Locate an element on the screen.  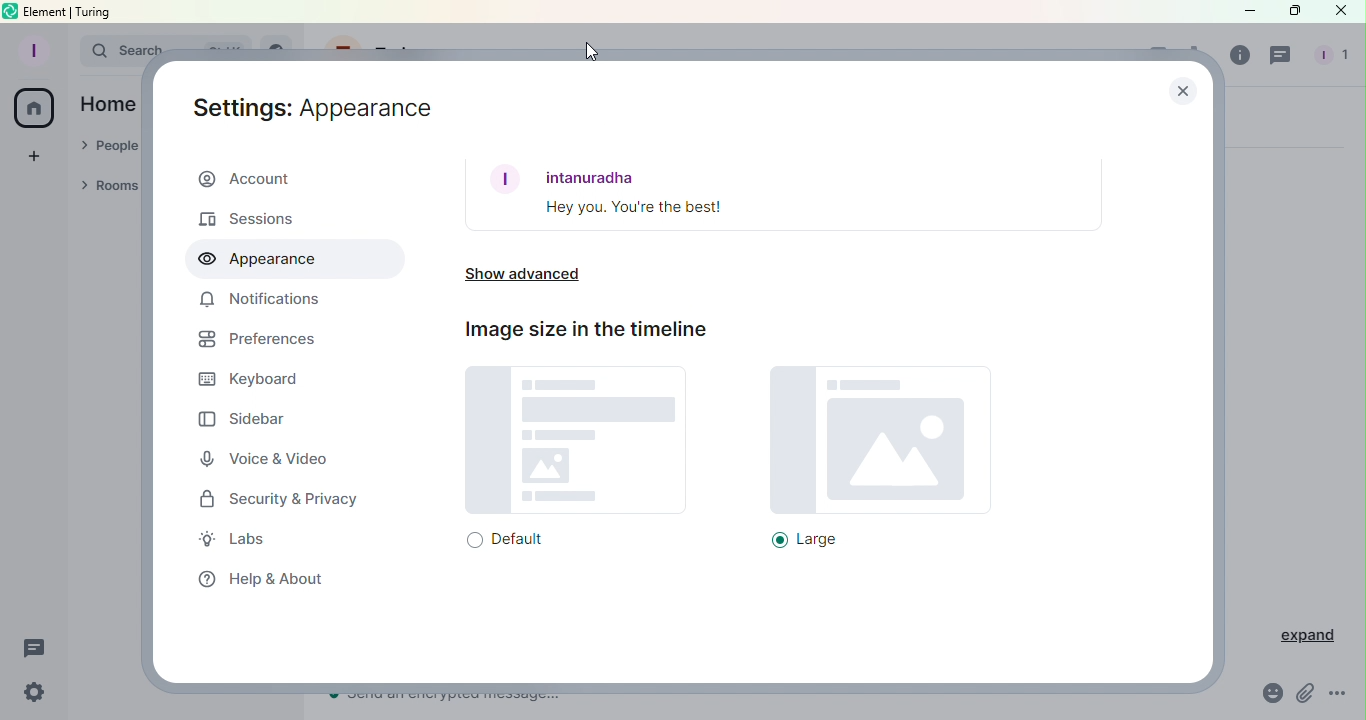
Search is located at coordinates (108, 49).